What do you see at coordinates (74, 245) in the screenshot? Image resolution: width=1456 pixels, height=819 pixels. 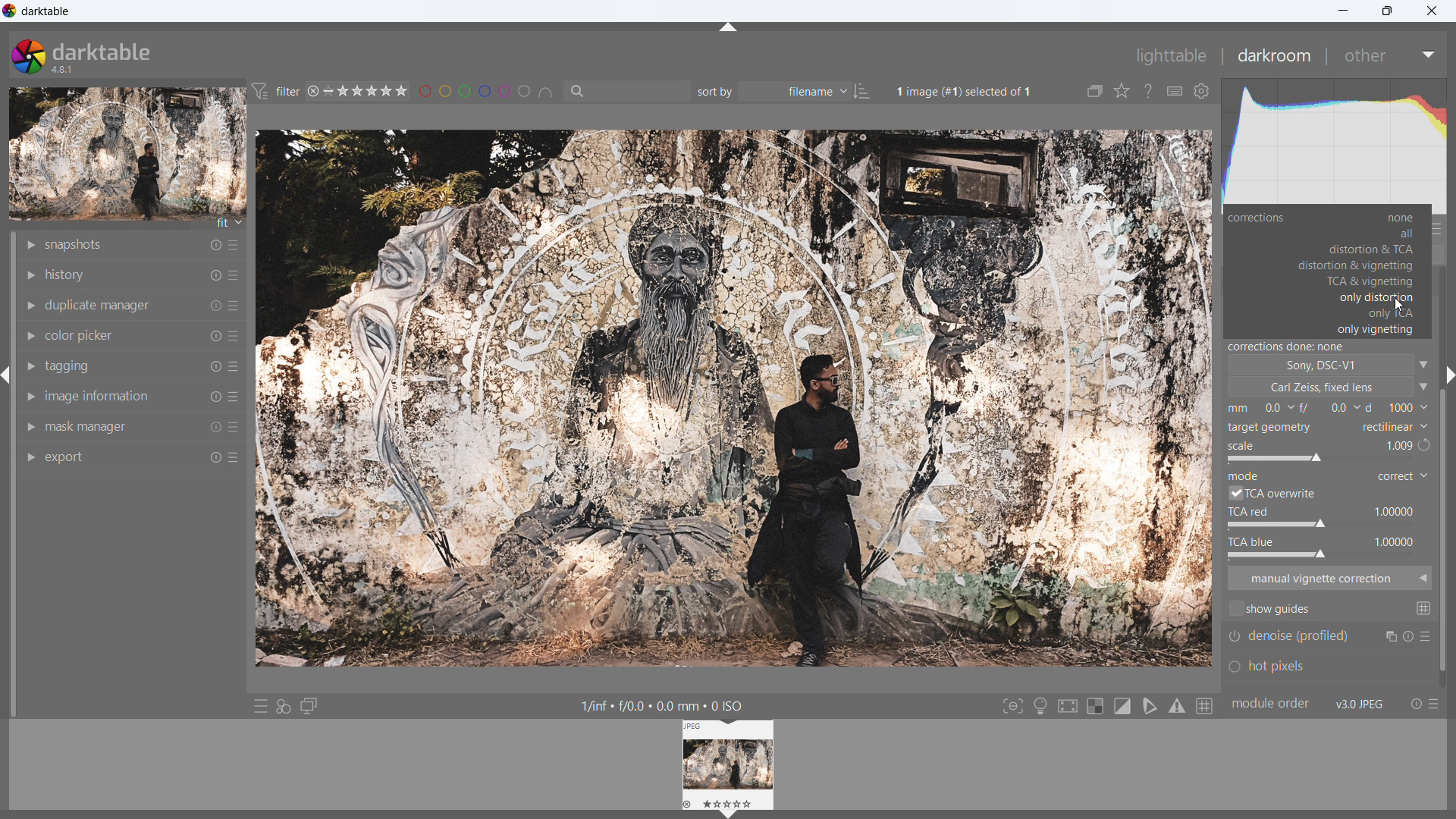 I see `snapshots` at bounding box center [74, 245].